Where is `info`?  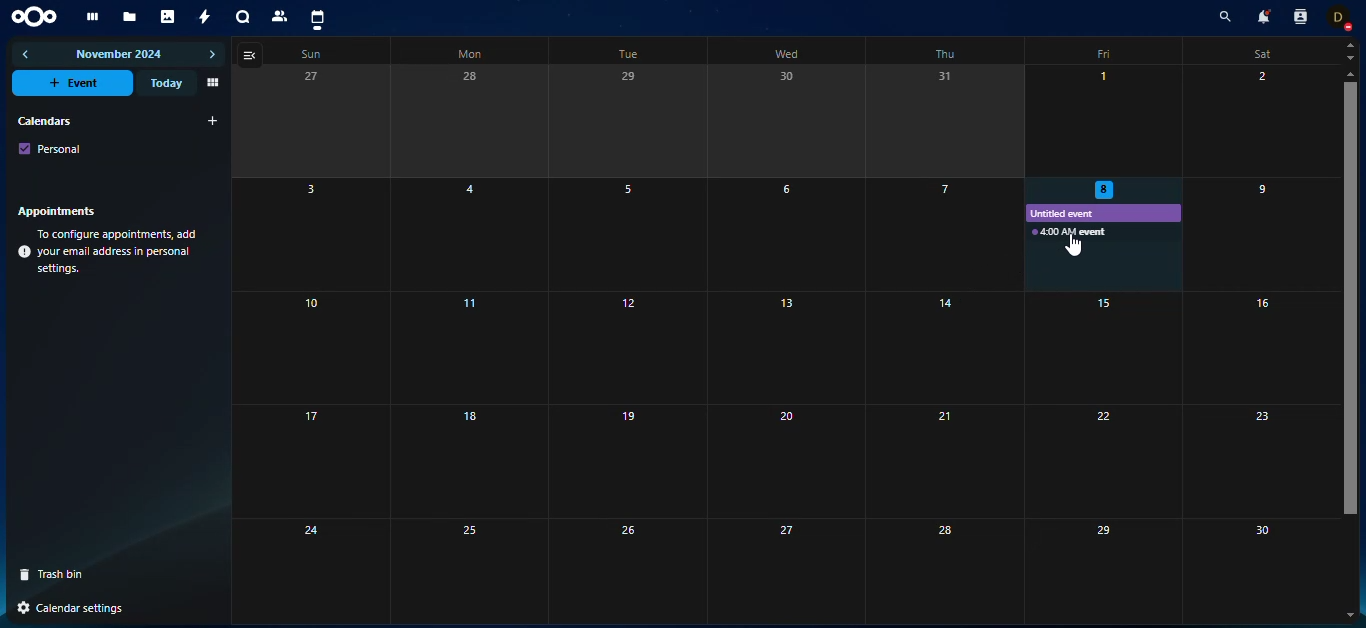 info is located at coordinates (110, 252).